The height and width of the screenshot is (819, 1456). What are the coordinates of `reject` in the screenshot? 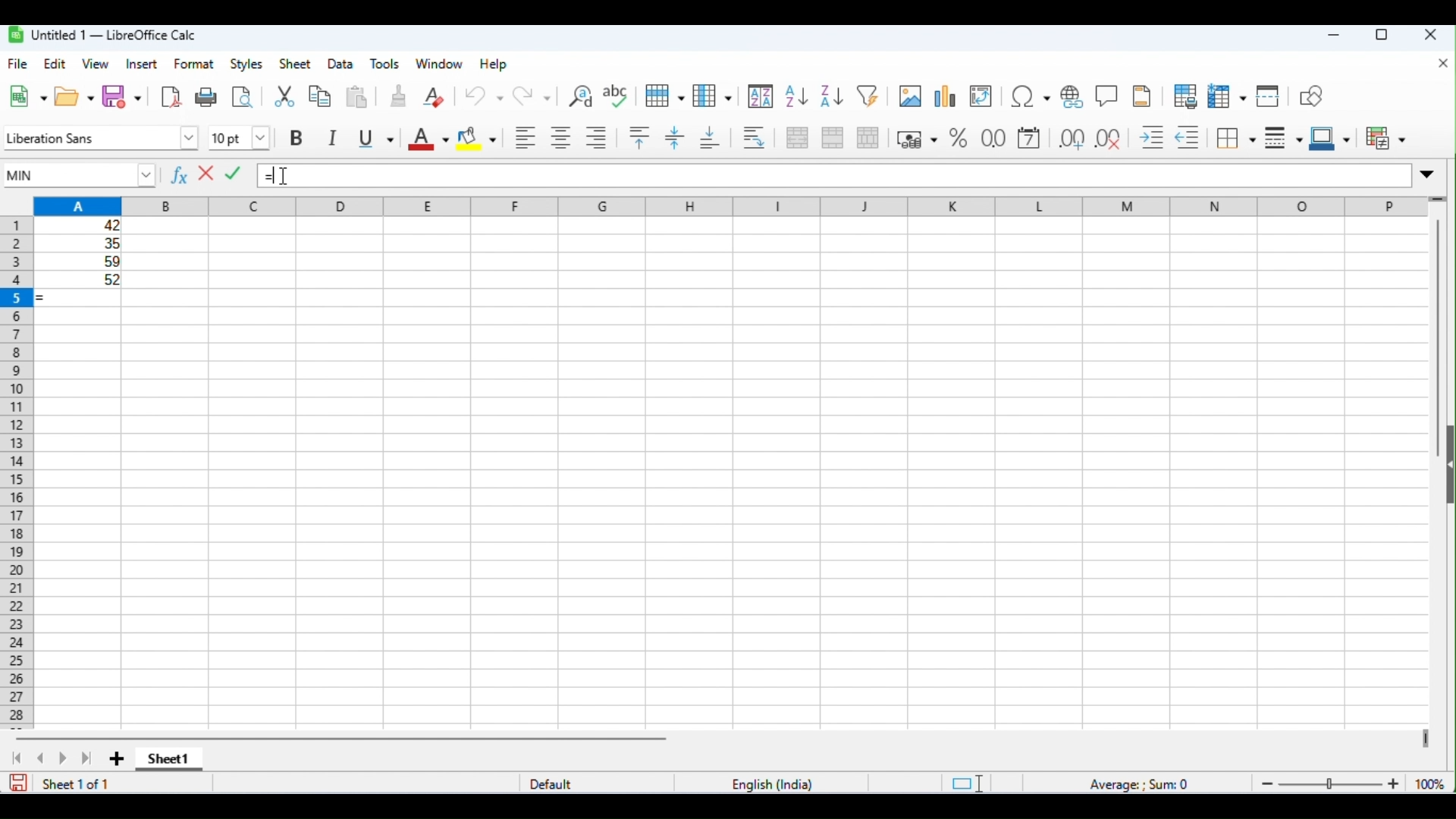 It's located at (208, 174).